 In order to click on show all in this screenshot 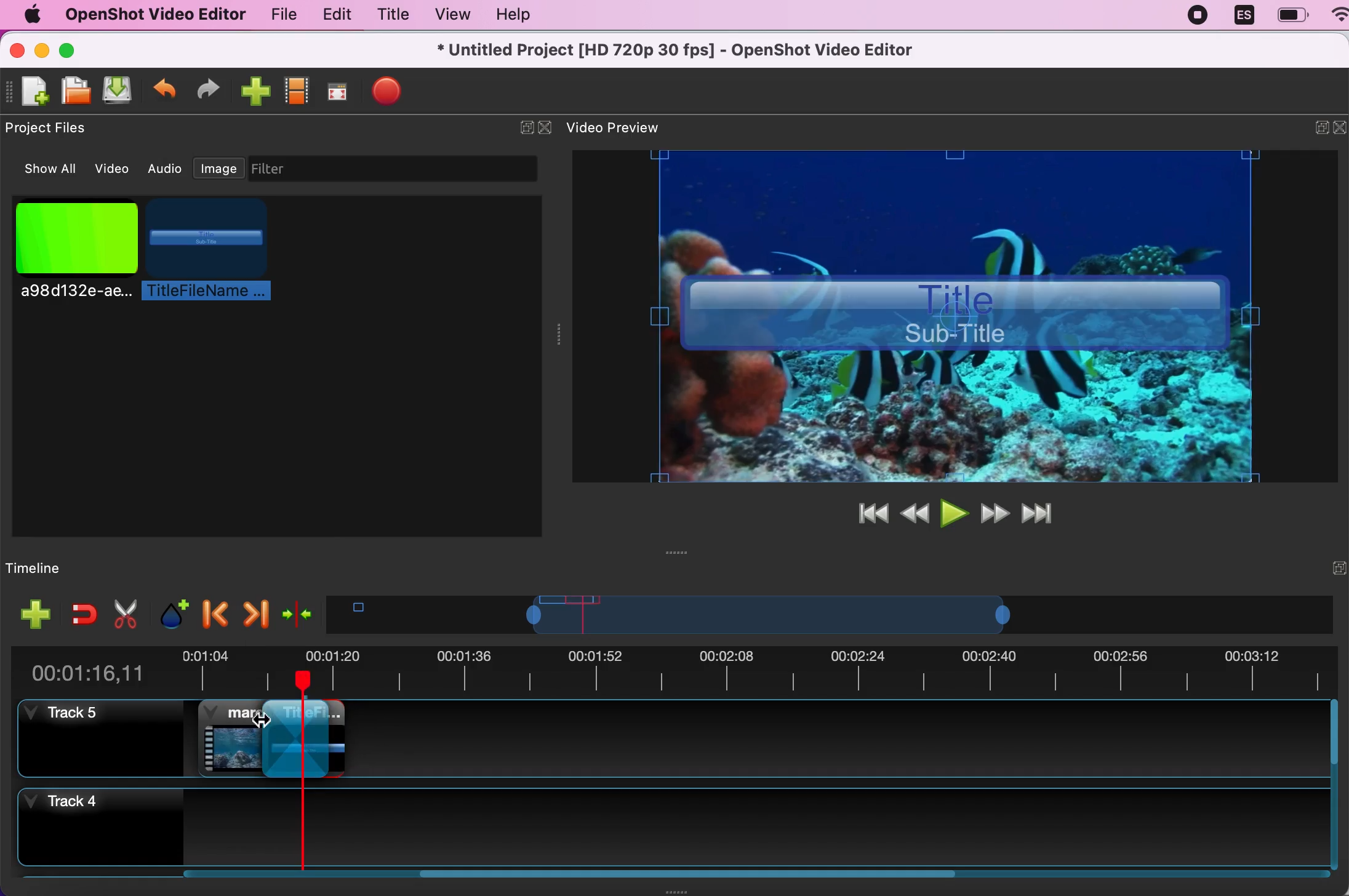, I will do `click(44, 169)`.